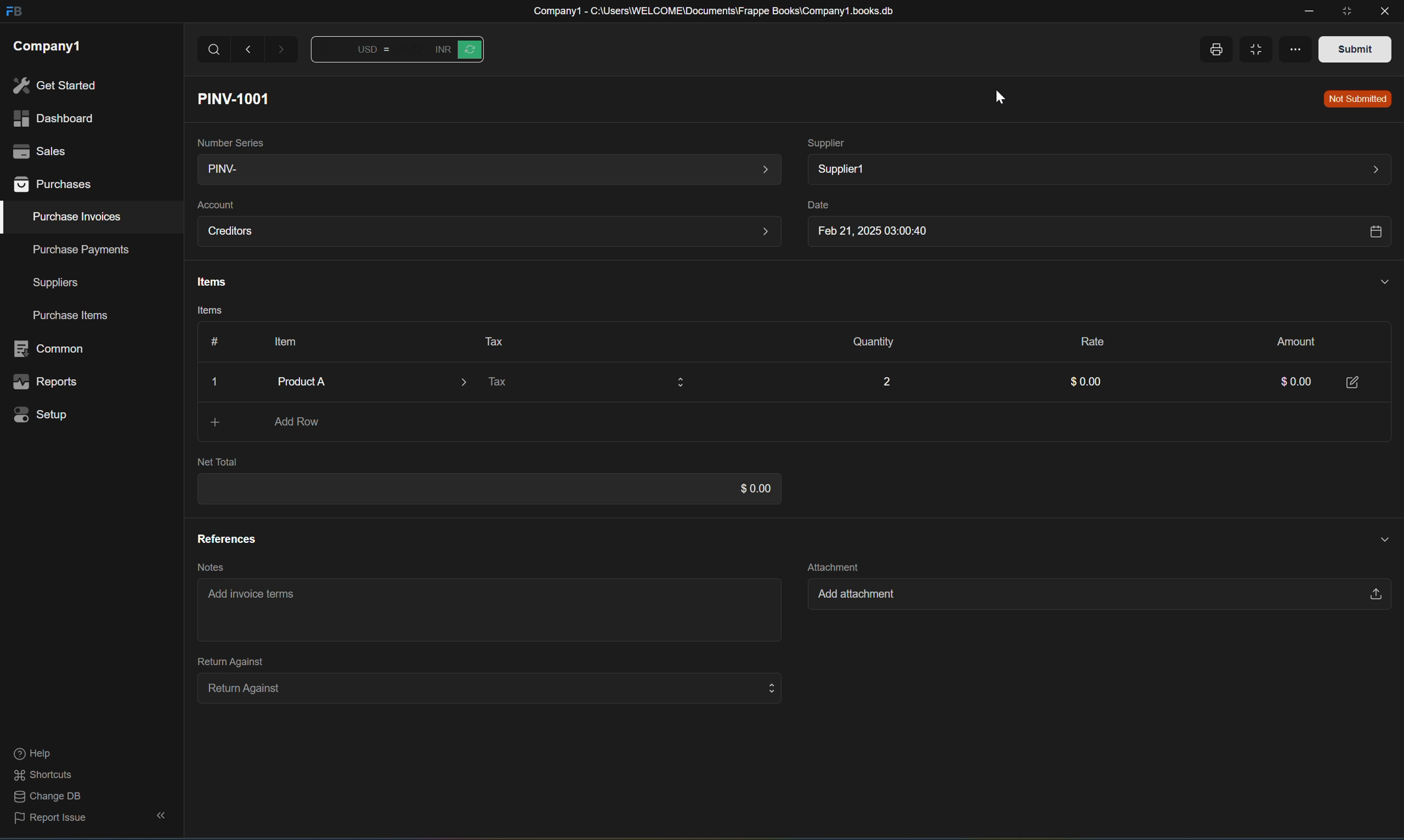 The width and height of the screenshot is (1404, 840). Describe the element at coordinates (1358, 100) in the screenshot. I see `Not Submitted` at that location.